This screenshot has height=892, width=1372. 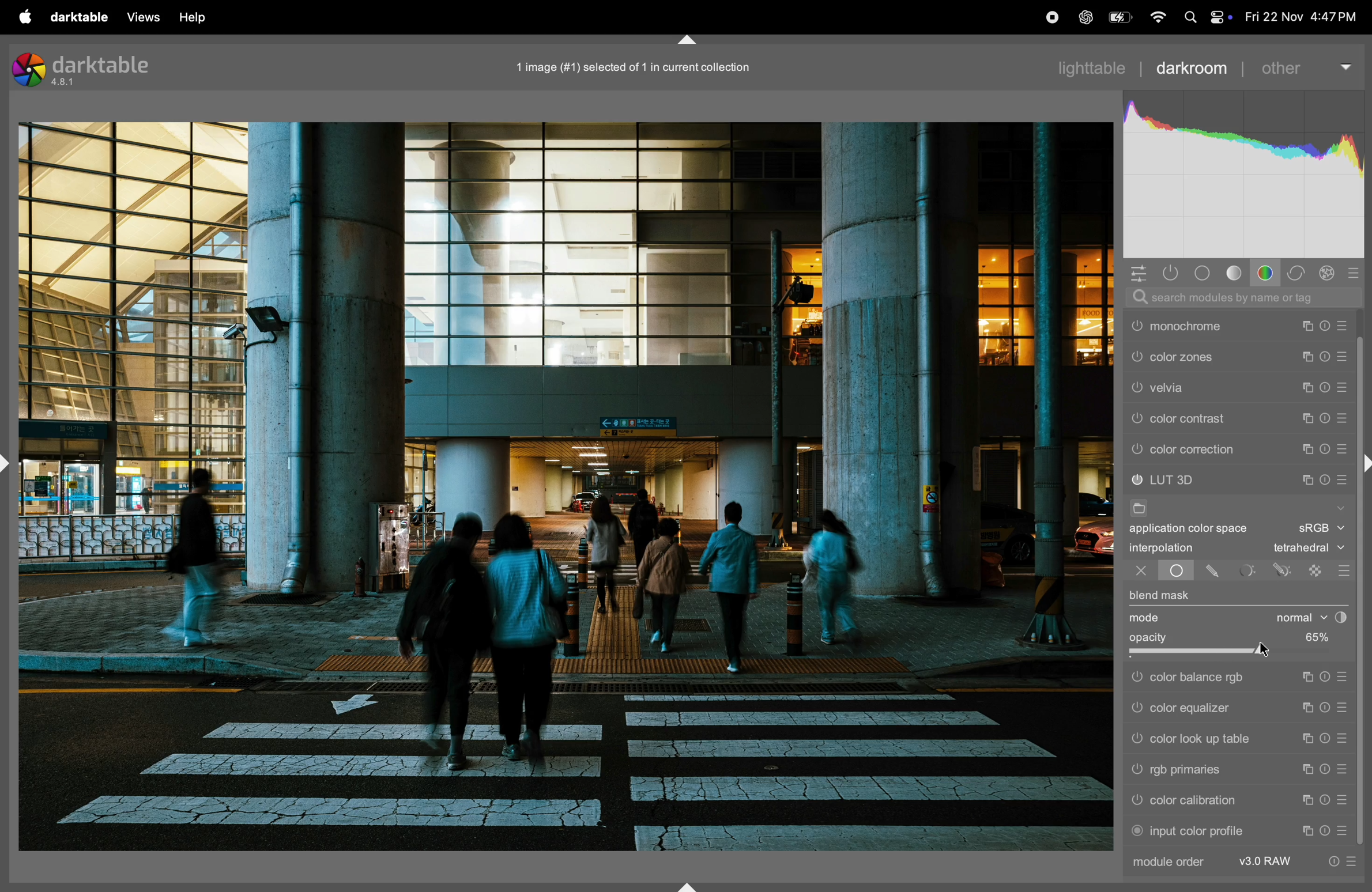 What do you see at coordinates (1220, 449) in the screenshot?
I see `color correction` at bounding box center [1220, 449].